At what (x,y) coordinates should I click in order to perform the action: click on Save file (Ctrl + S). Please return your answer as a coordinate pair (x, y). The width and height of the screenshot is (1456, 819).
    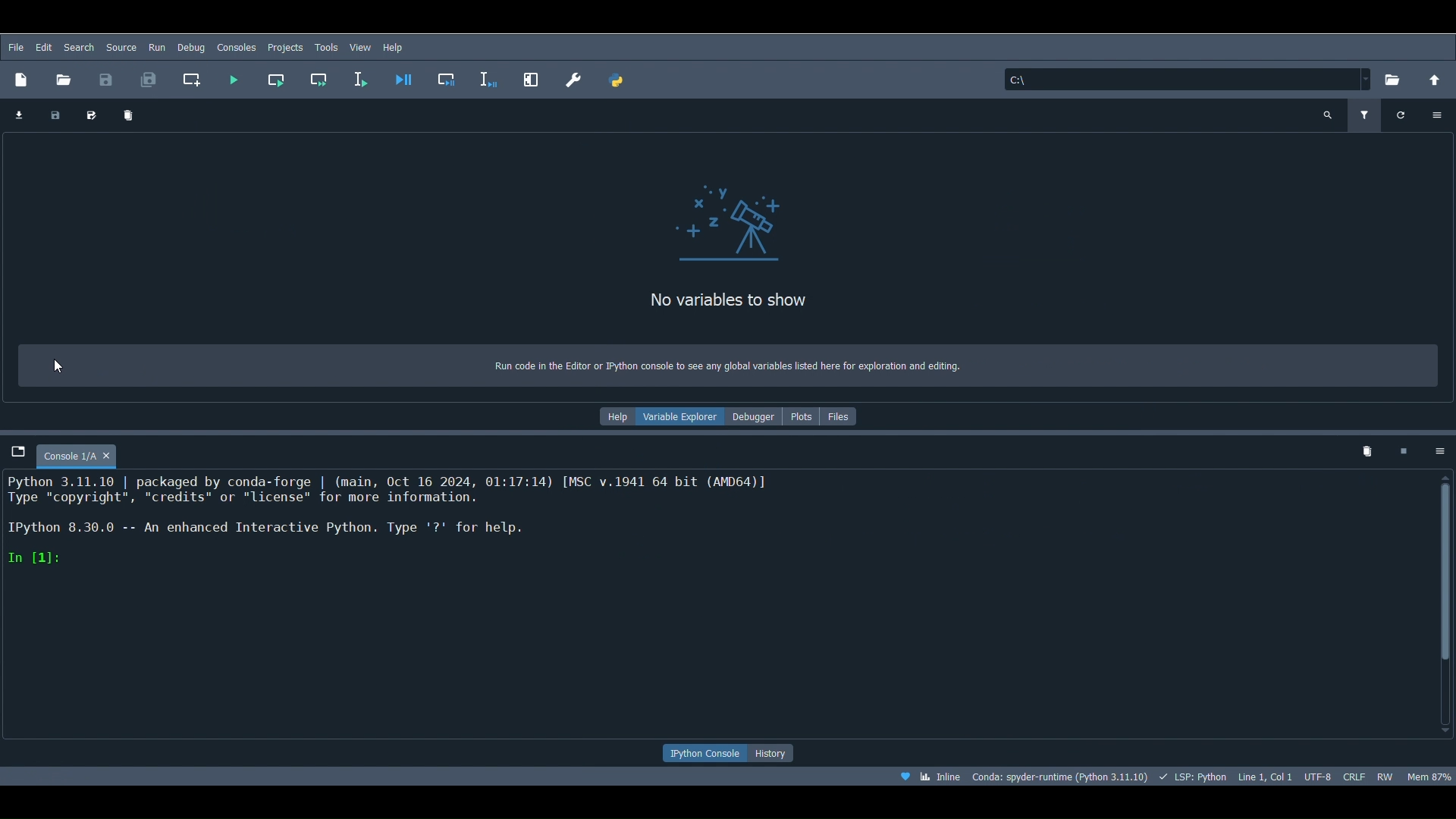
    Looking at the image, I should click on (108, 78).